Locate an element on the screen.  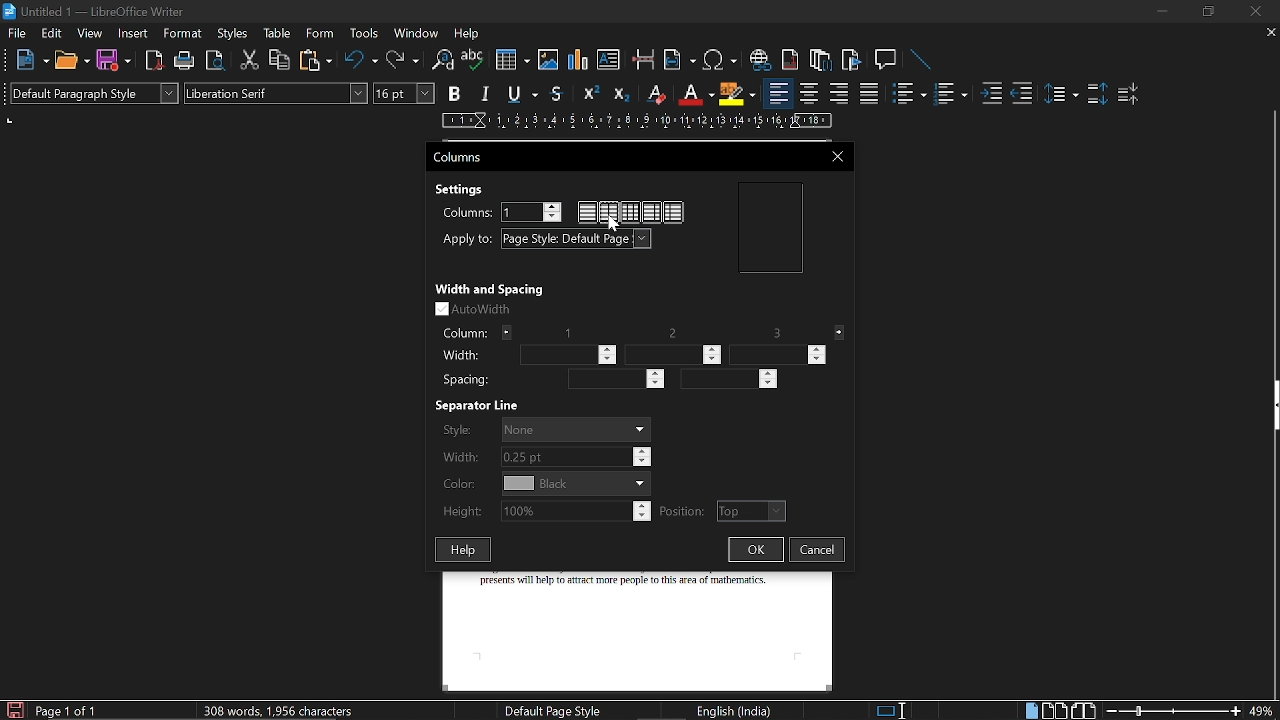
Increase paragraph spacing is located at coordinates (1096, 93).